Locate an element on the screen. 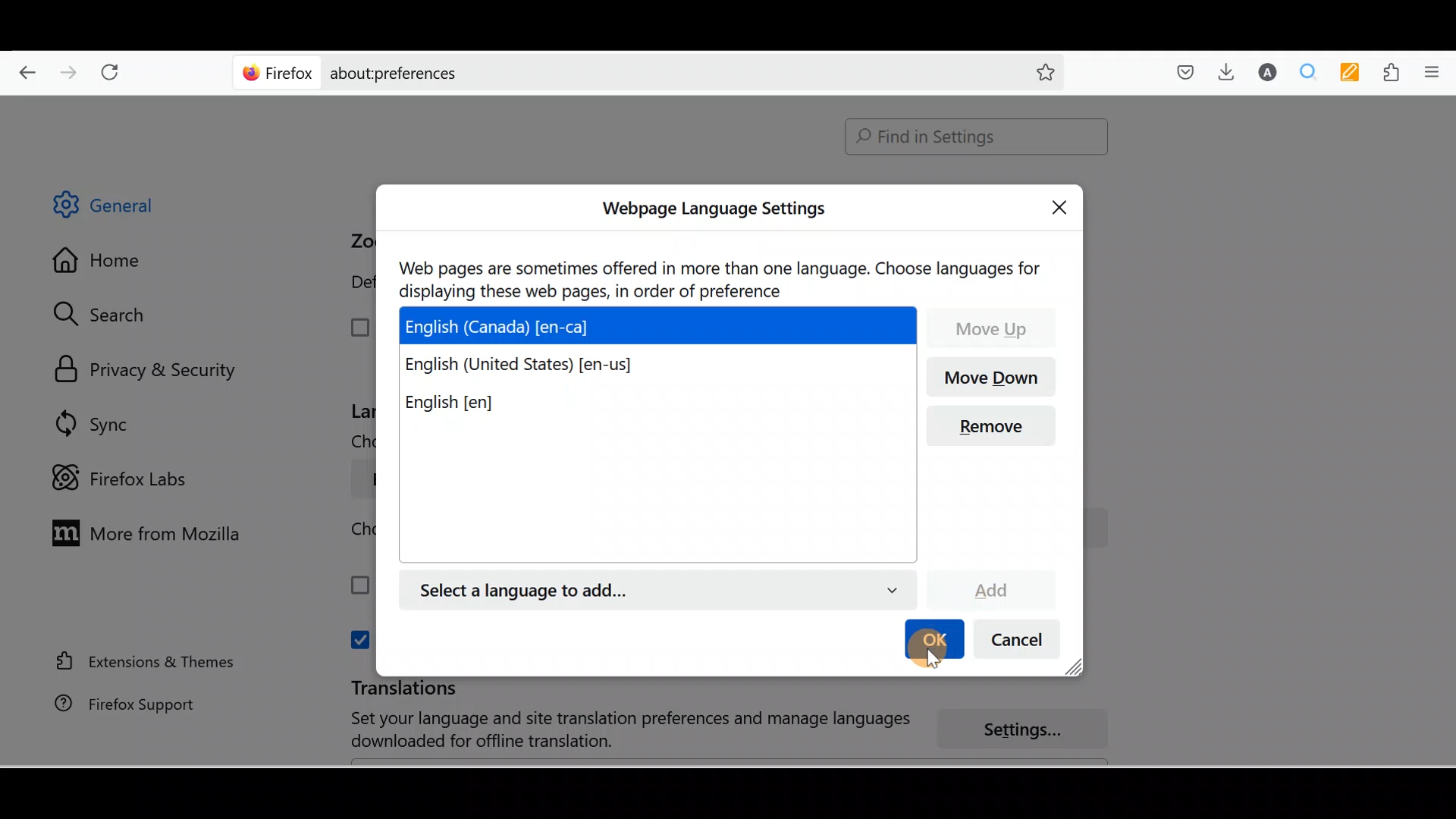  Account is located at coordinates (1264, 72).